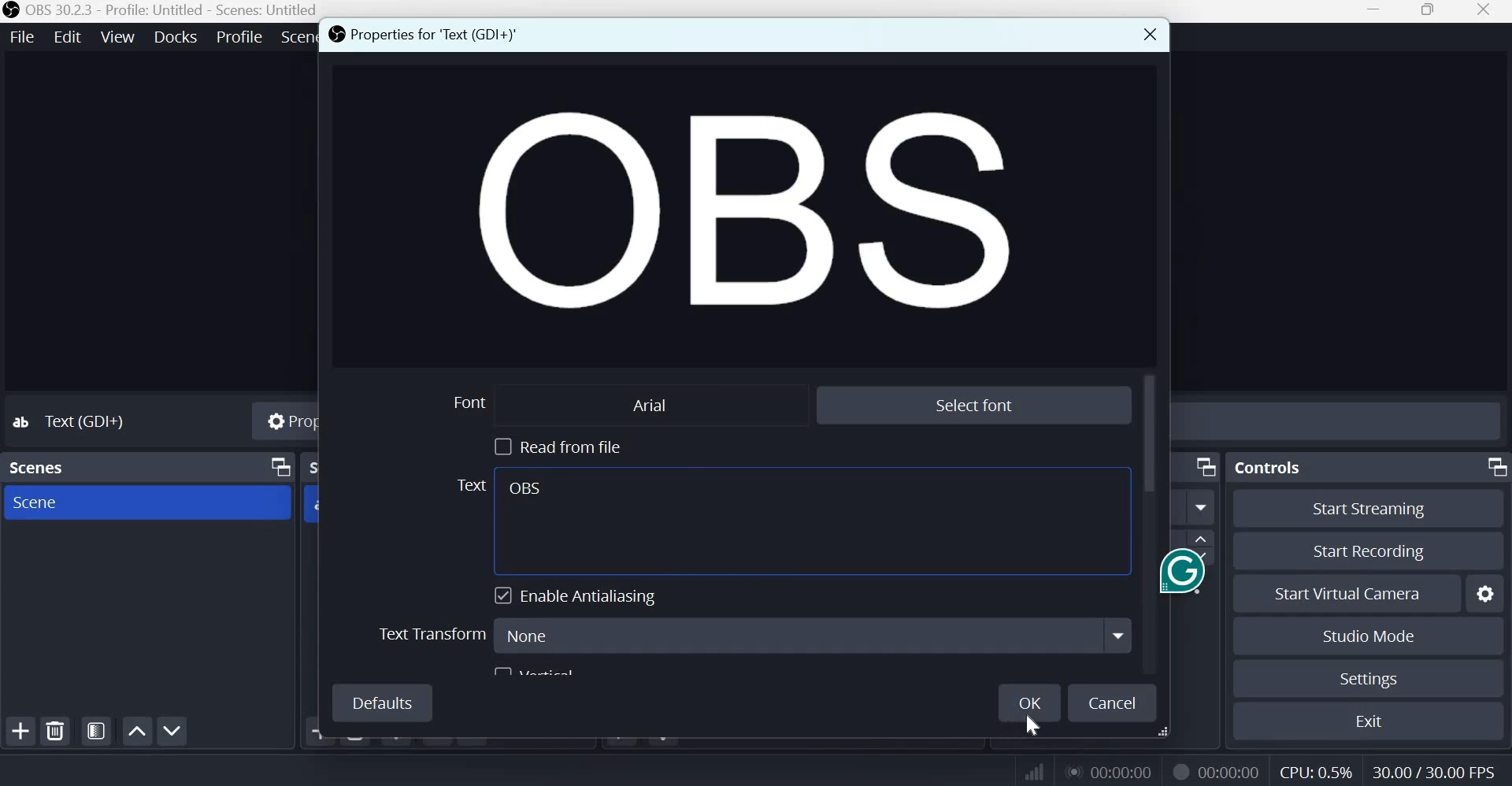 The width and height of the screenshot is (1512, 786). Describe the element at coordinates (1364, 552) in the screenshot. I see `Start recording` at that location.